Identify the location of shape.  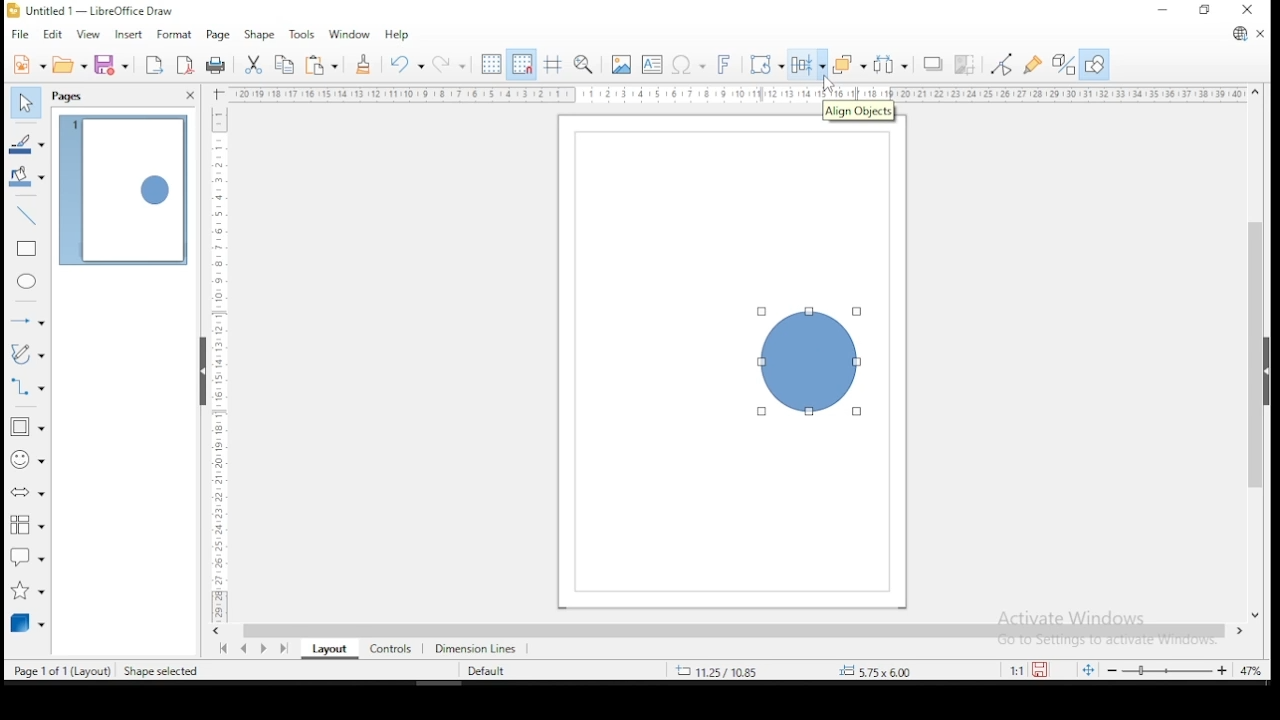
(258, 36).